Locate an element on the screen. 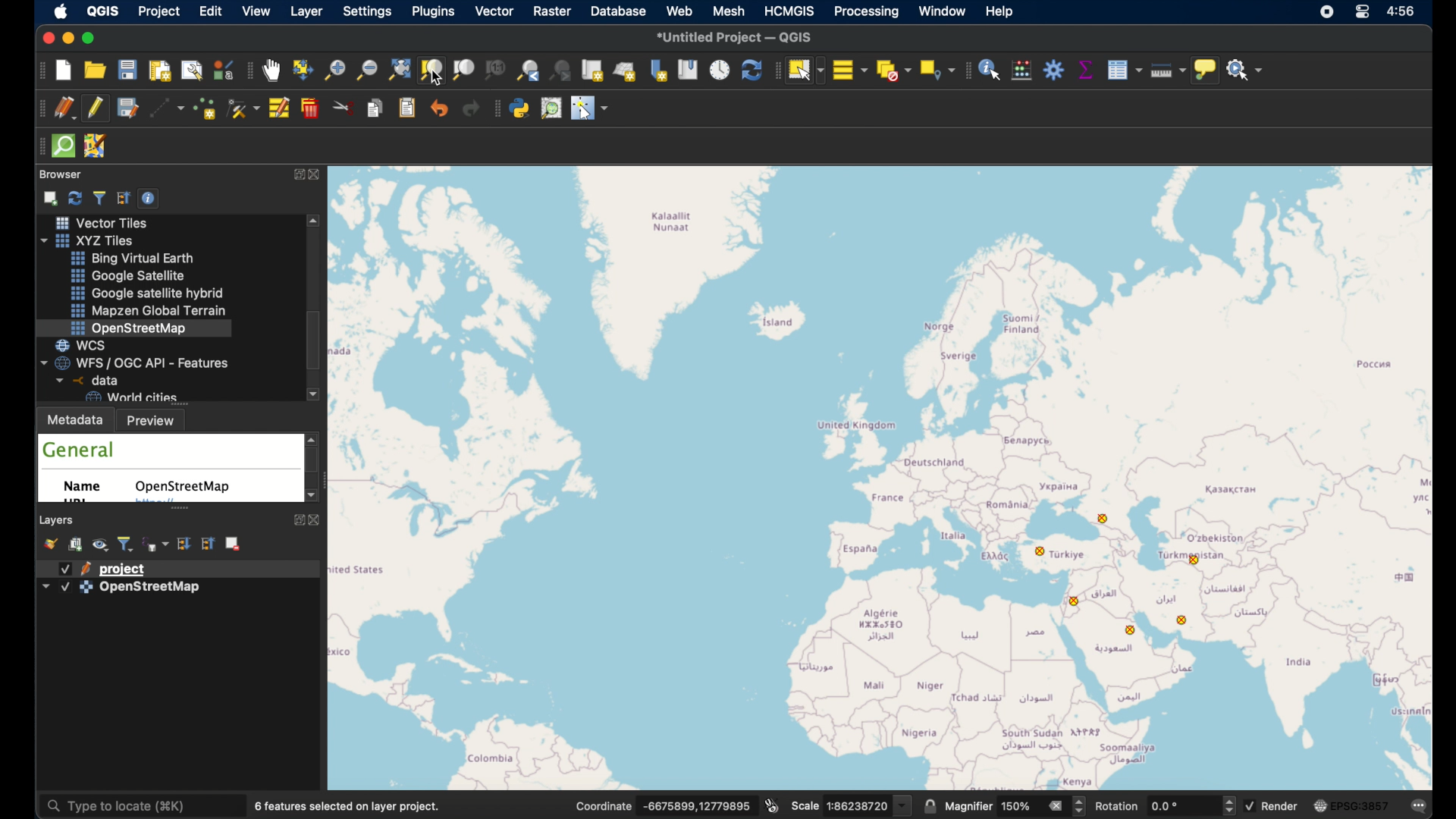 Image resolution: width=1456 pixels, height=819 pixels. scroll down arrow is located at coordinates (309, 497).